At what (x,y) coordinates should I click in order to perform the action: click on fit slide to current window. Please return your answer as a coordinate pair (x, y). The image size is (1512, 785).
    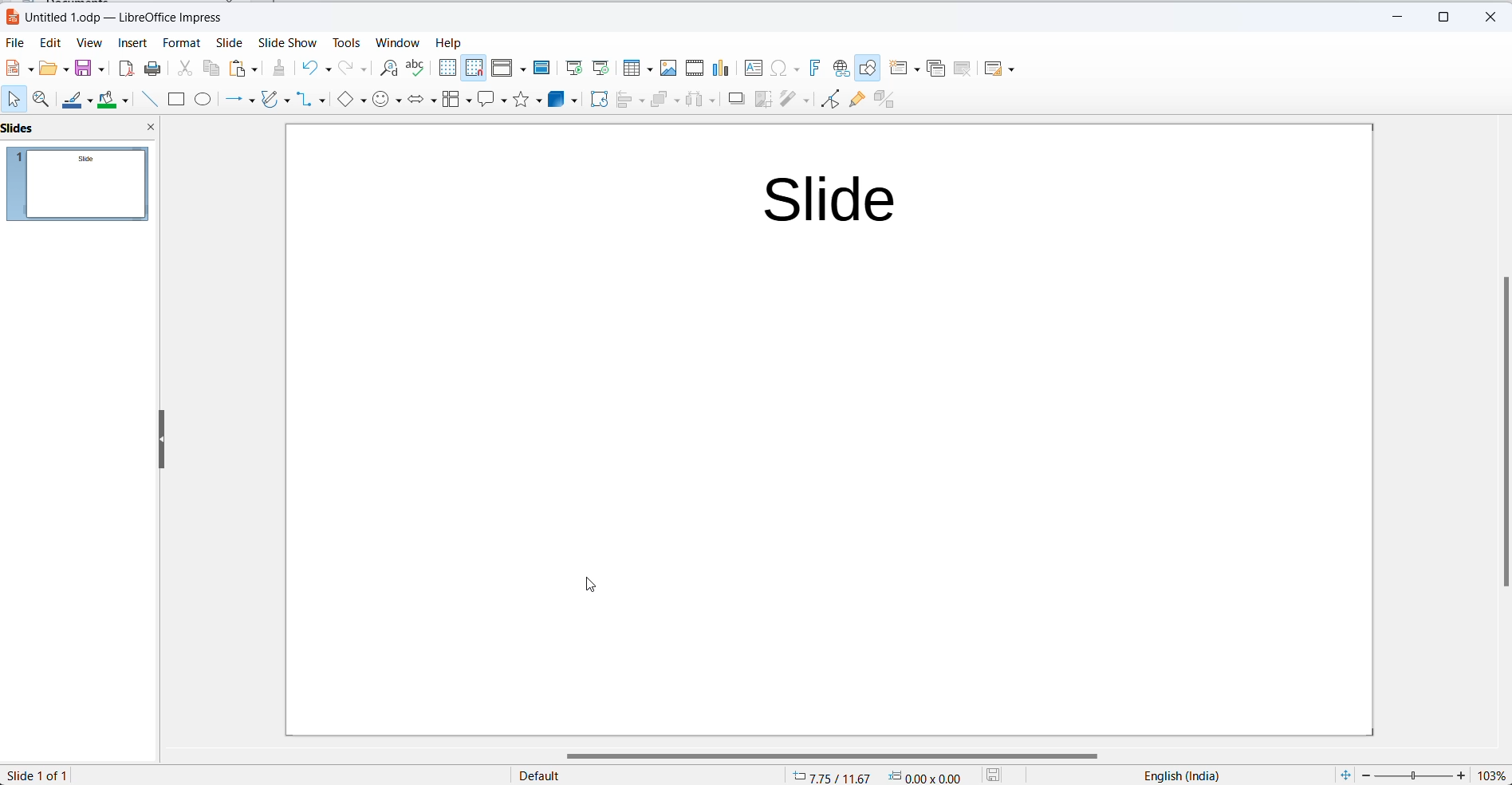
    Looking at the image, I should click on (1342, 775).